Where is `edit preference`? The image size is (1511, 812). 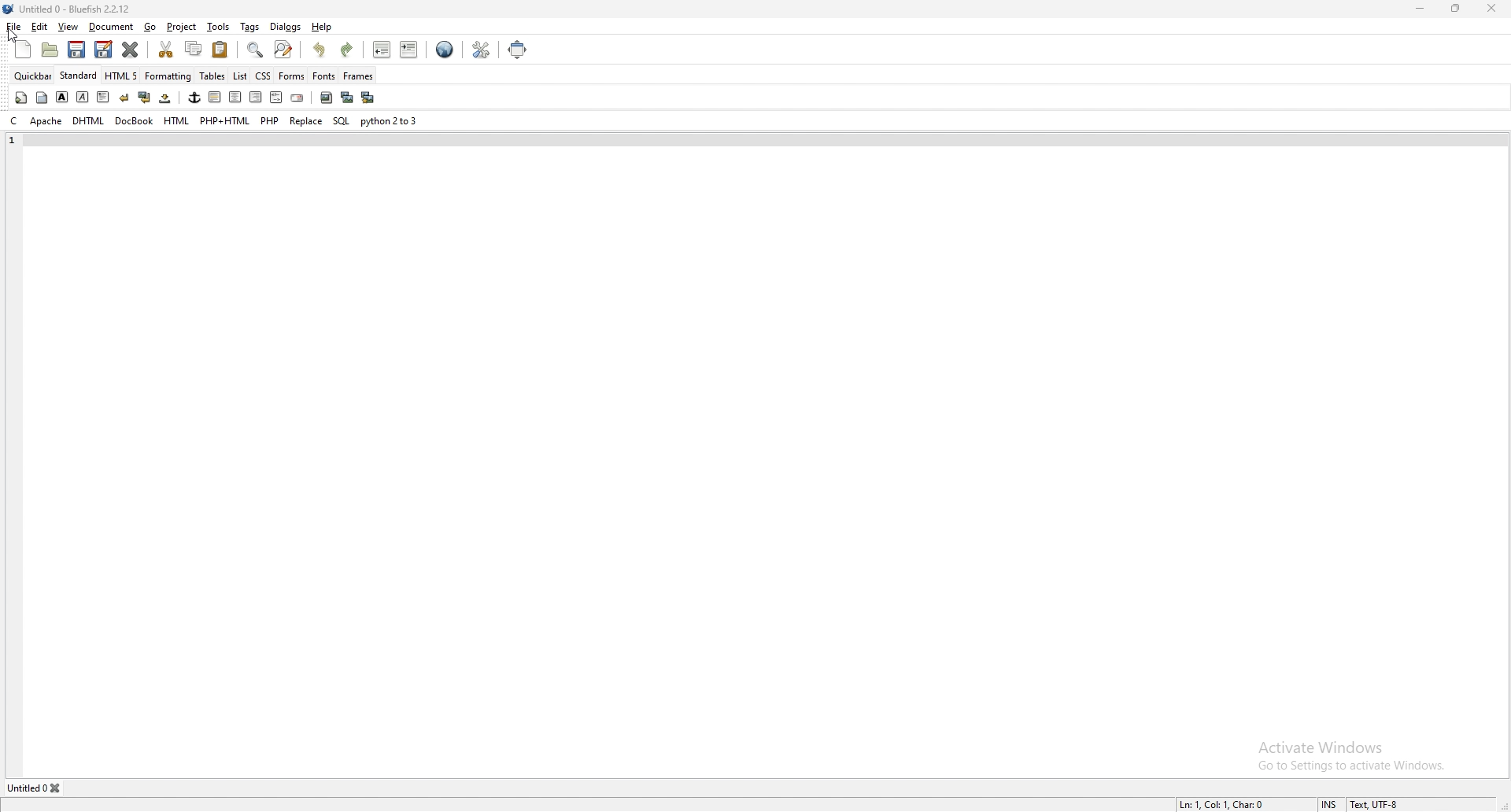 edit preference is located at coordinates (482, 49).